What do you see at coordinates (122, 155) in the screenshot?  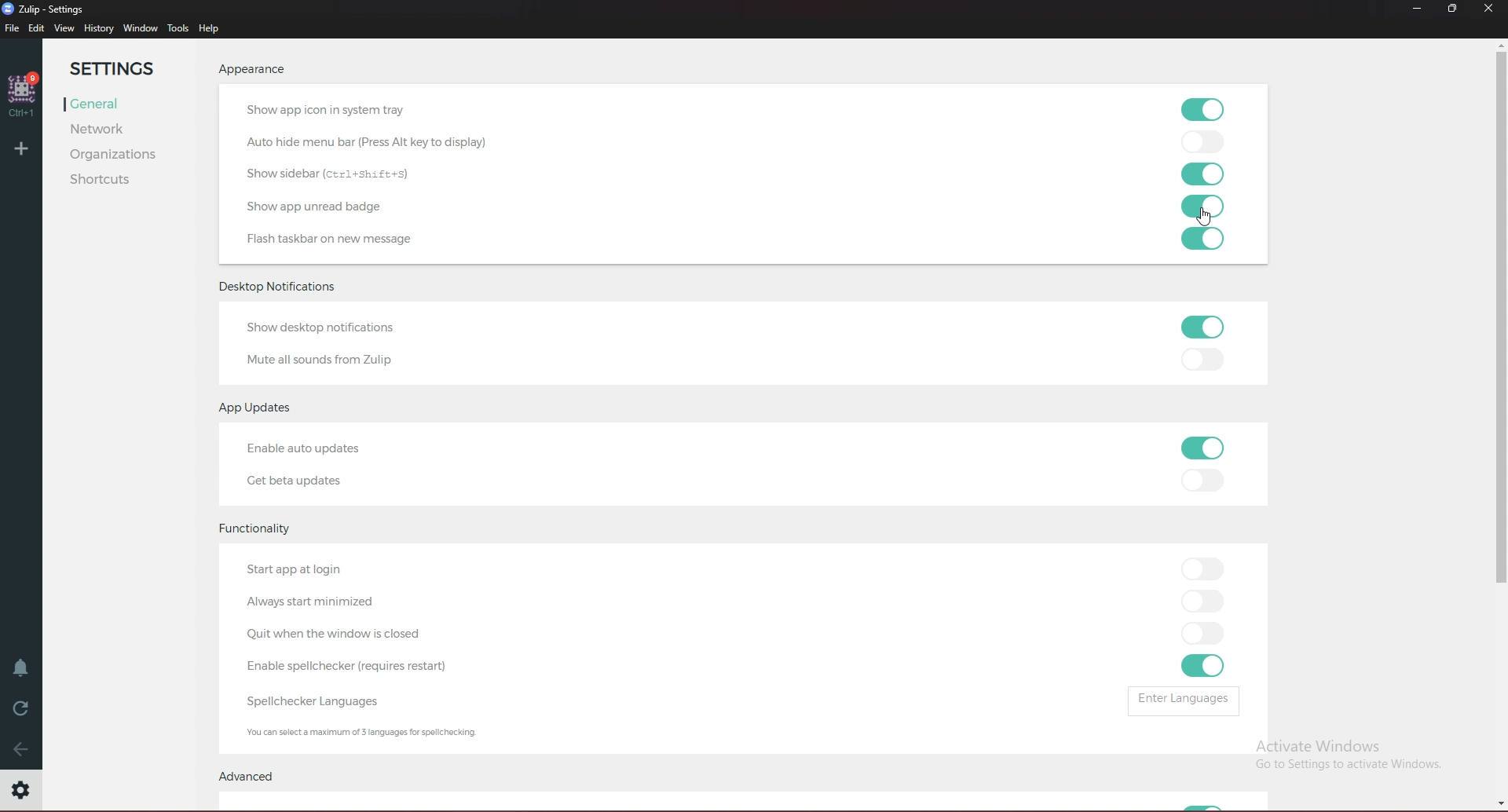 I see `Organizations` at bounding box center [122, 155].